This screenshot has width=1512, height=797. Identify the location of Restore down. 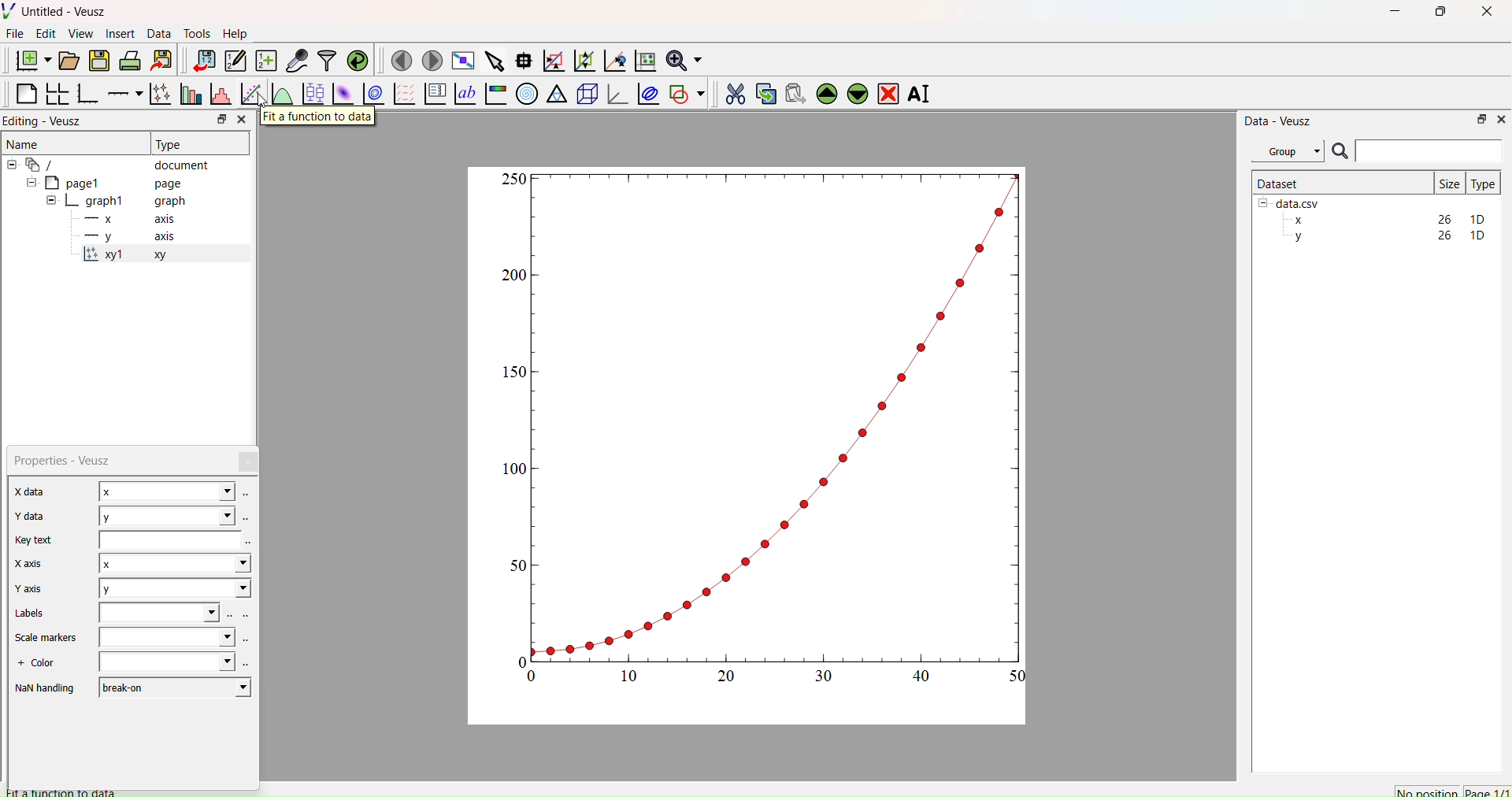
(218, 120).